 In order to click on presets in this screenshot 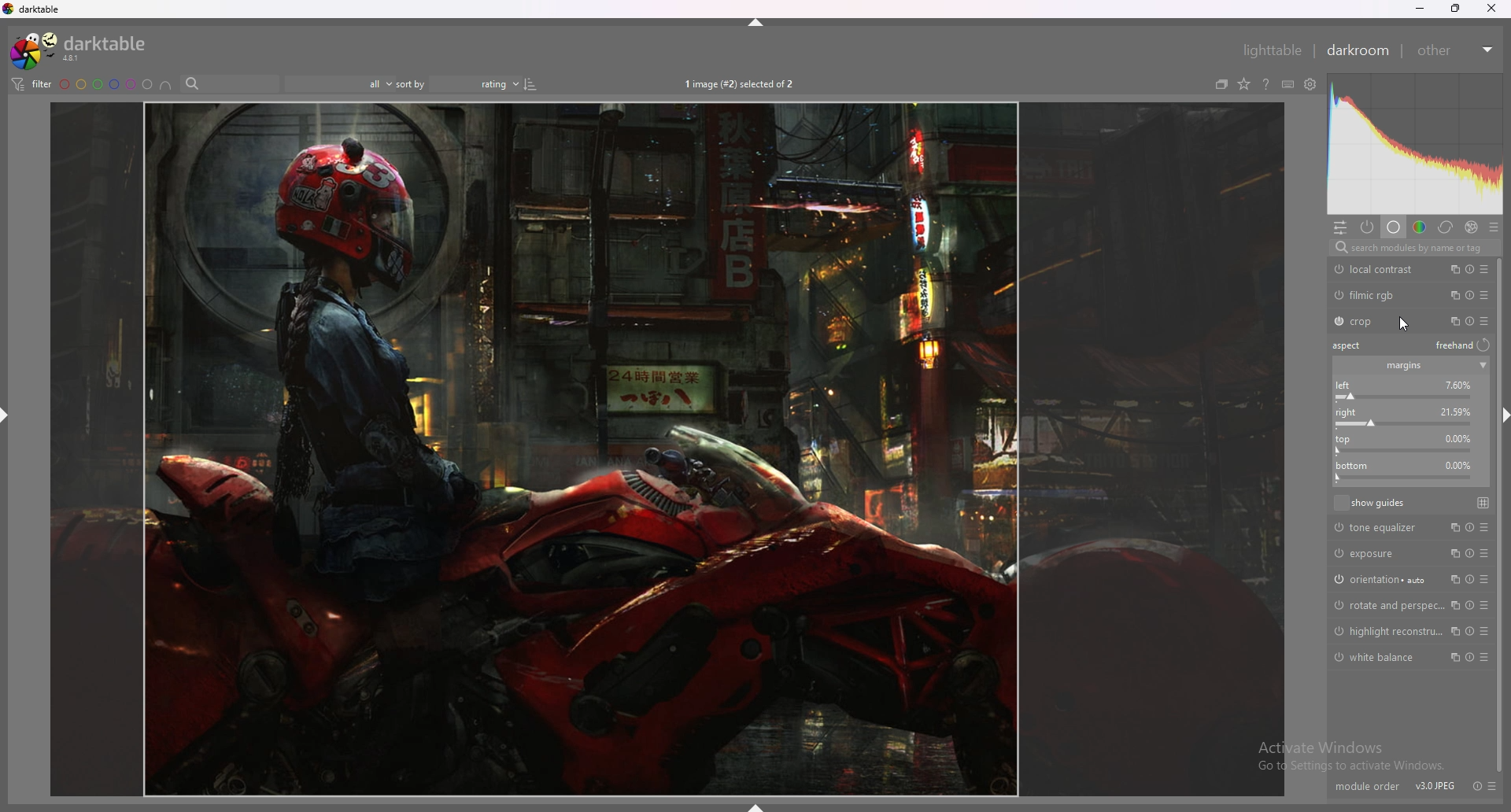, I will do `click(1484, 528)`.